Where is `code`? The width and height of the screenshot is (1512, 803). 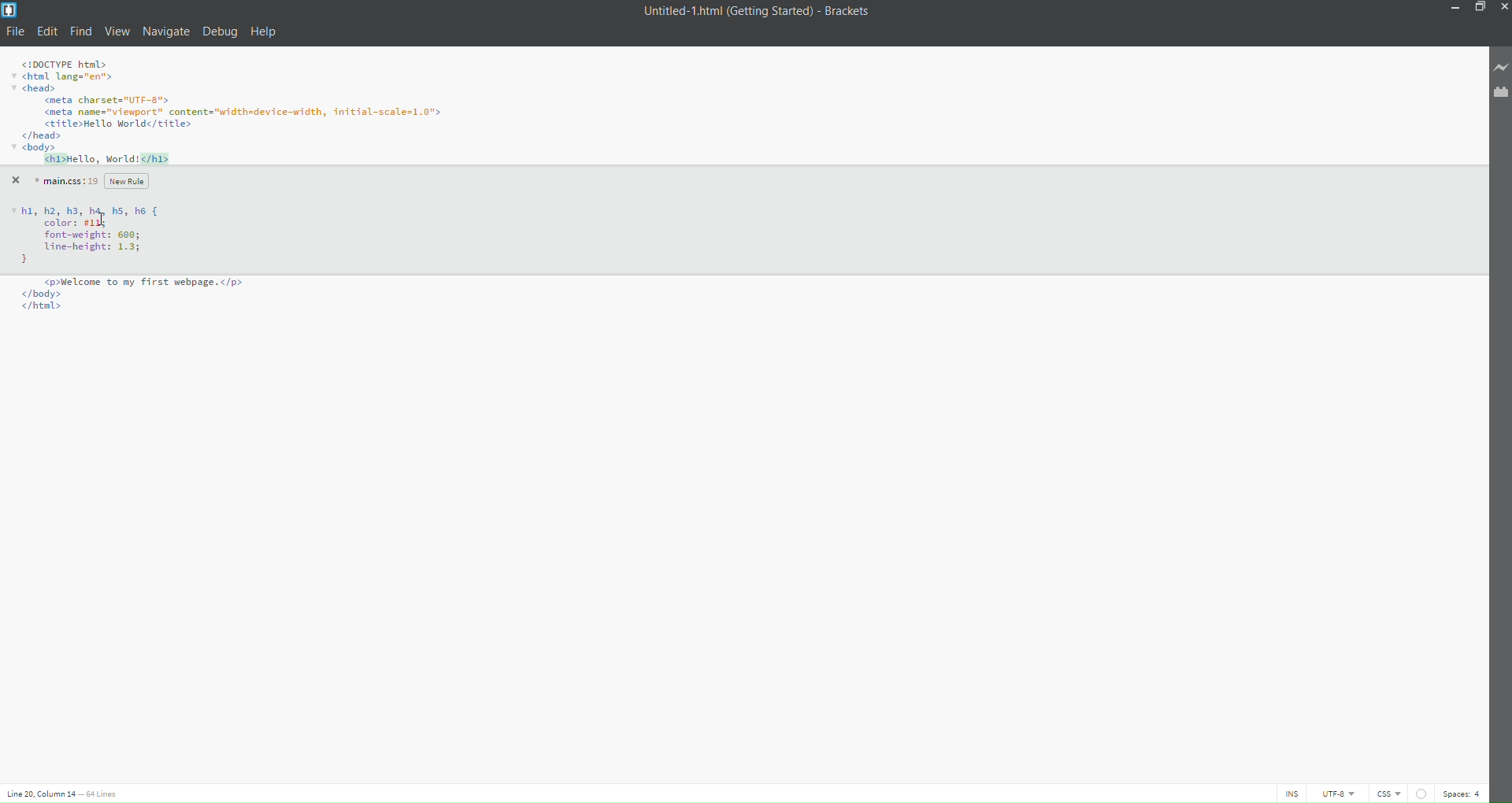 code is located at coordinates (238, 113).